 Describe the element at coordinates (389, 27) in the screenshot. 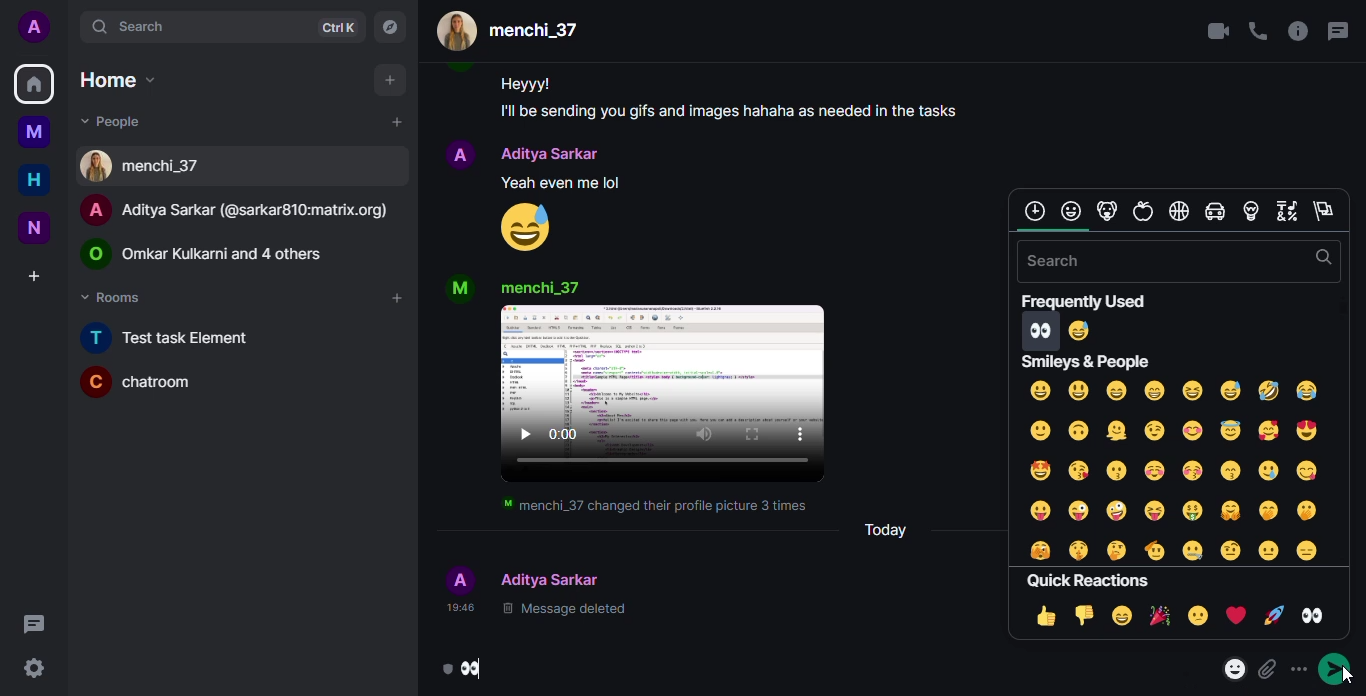

I see `navigator` at that location.